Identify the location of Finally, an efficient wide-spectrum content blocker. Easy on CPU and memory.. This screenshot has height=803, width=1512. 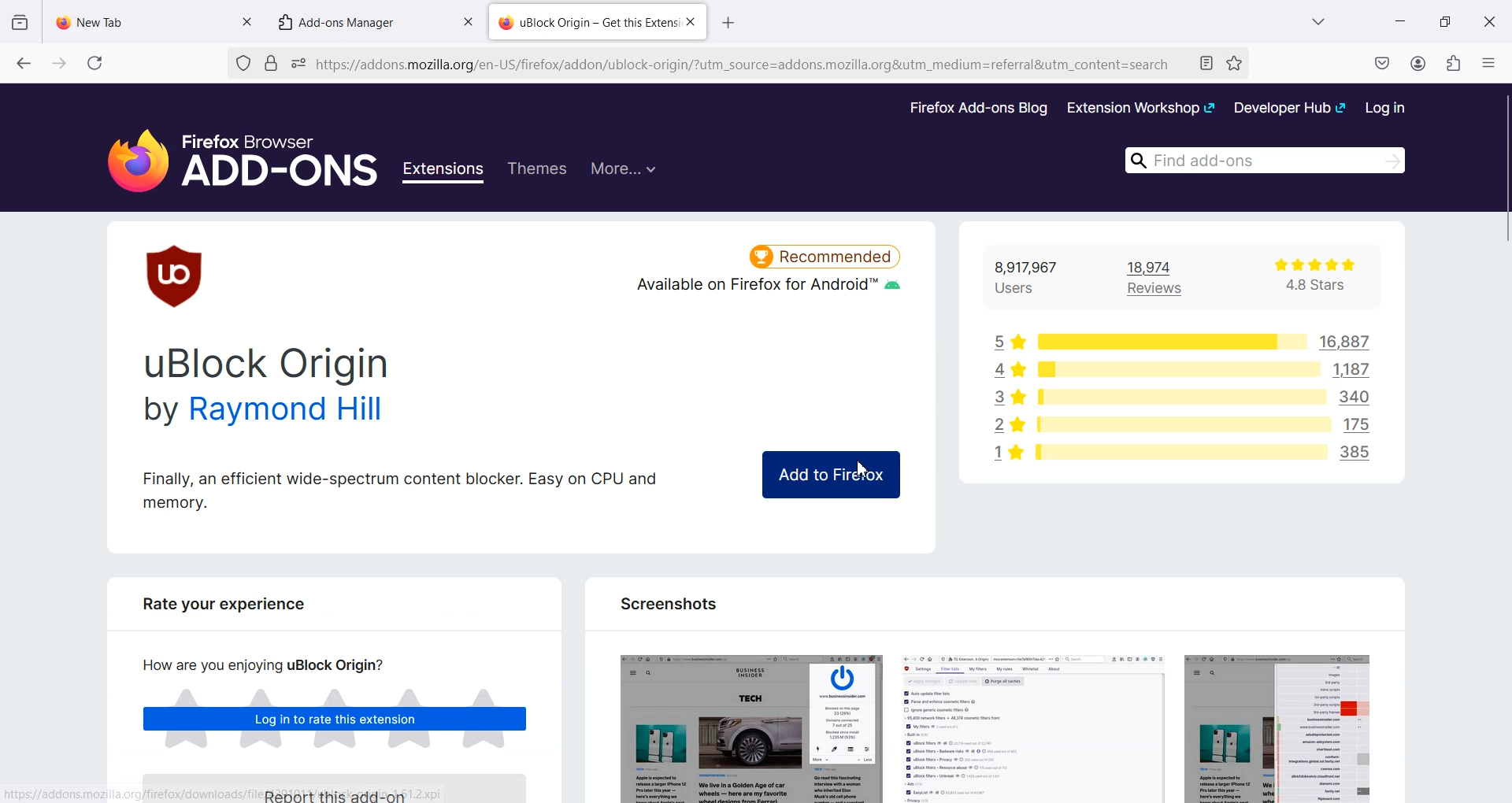
(400, 489).